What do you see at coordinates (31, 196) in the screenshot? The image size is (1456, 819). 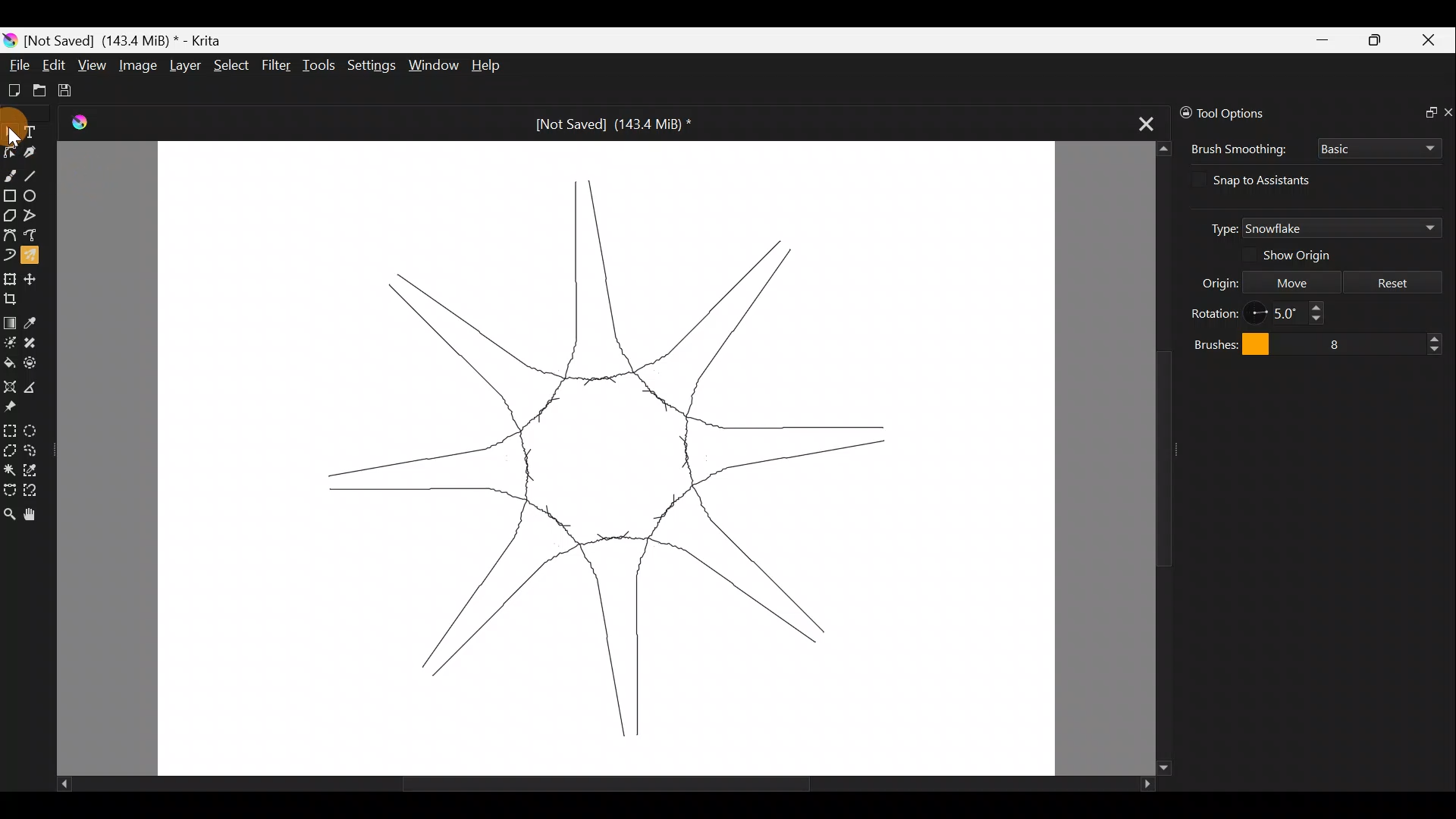 I see `Ellipse` at bounding box center [31, 196].